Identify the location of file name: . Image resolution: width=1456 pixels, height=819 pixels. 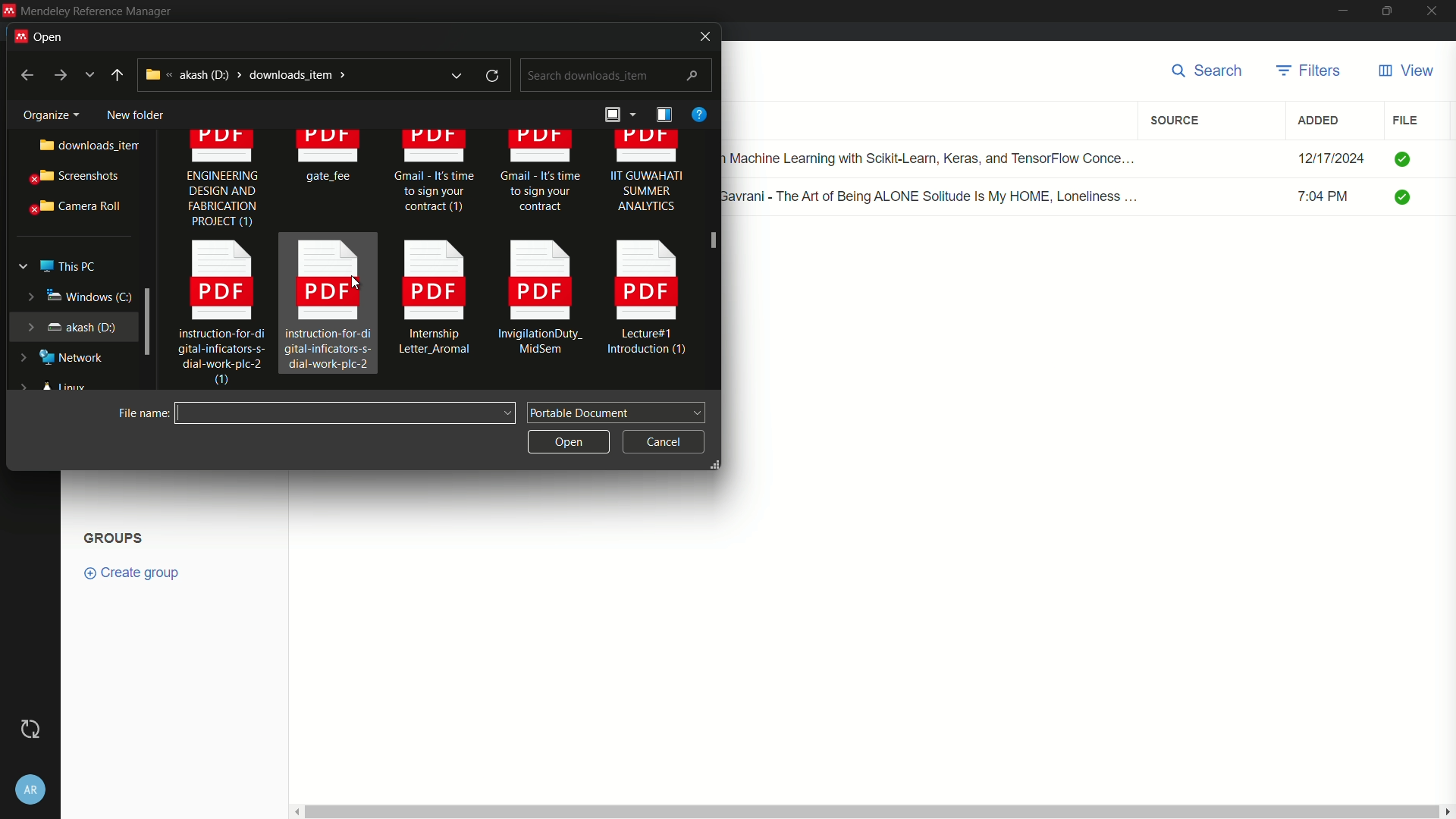
(346, 413).